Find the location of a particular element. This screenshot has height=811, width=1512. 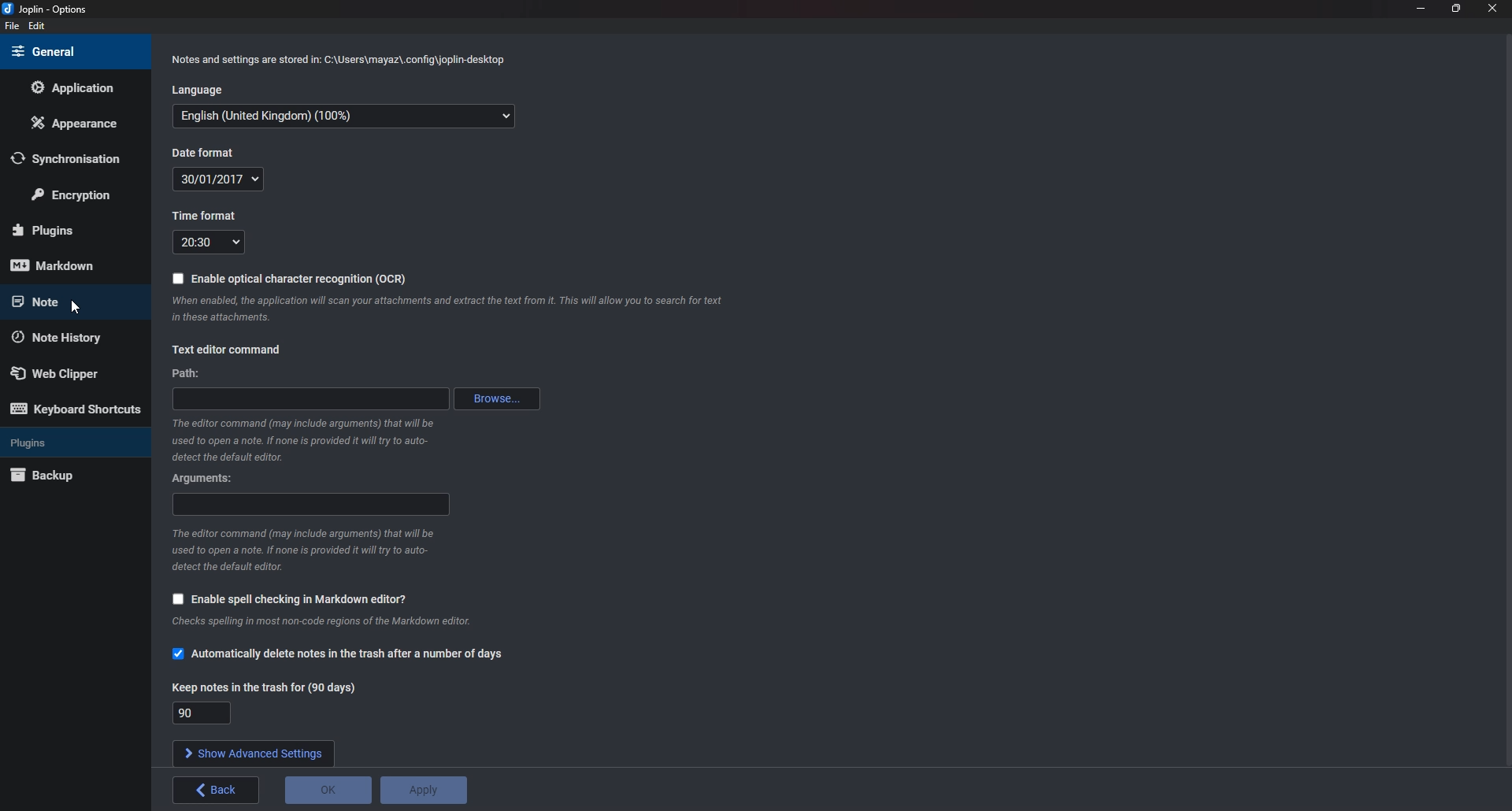

edit is located at coordinates (39, 26).